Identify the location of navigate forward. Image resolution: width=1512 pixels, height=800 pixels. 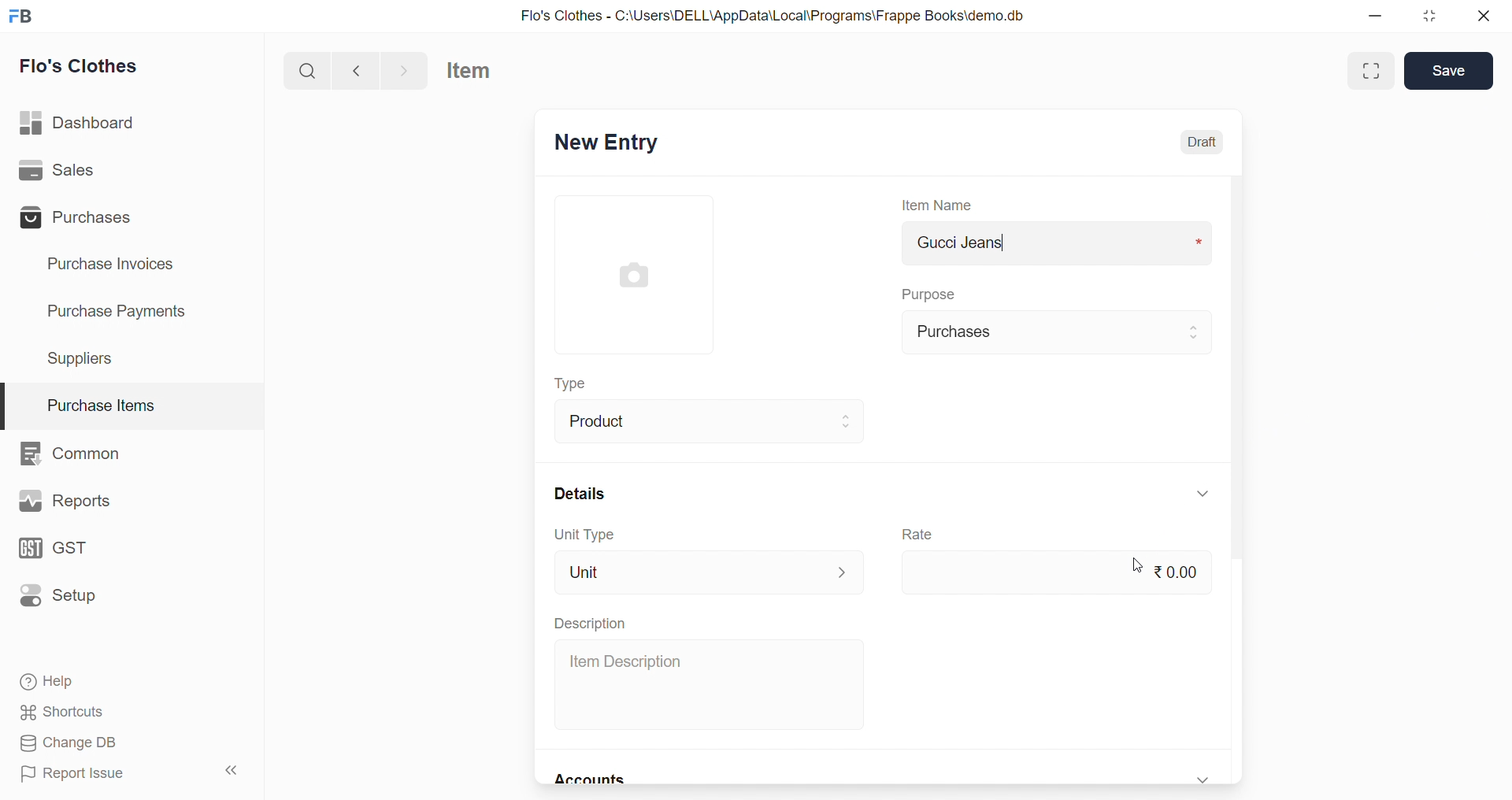
(406, 70).